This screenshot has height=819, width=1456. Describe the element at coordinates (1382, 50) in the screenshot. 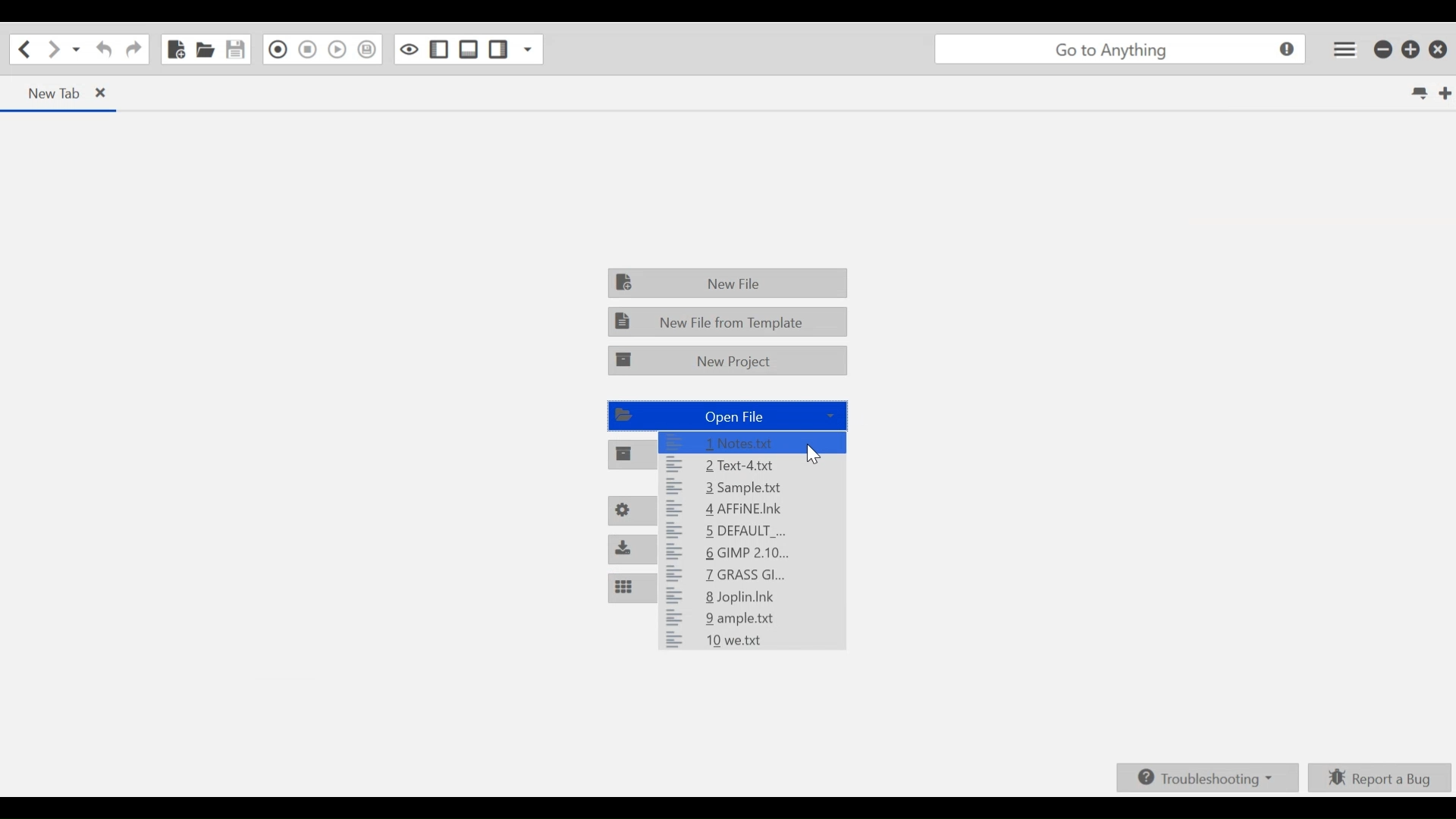

I see `minimize` at that location.